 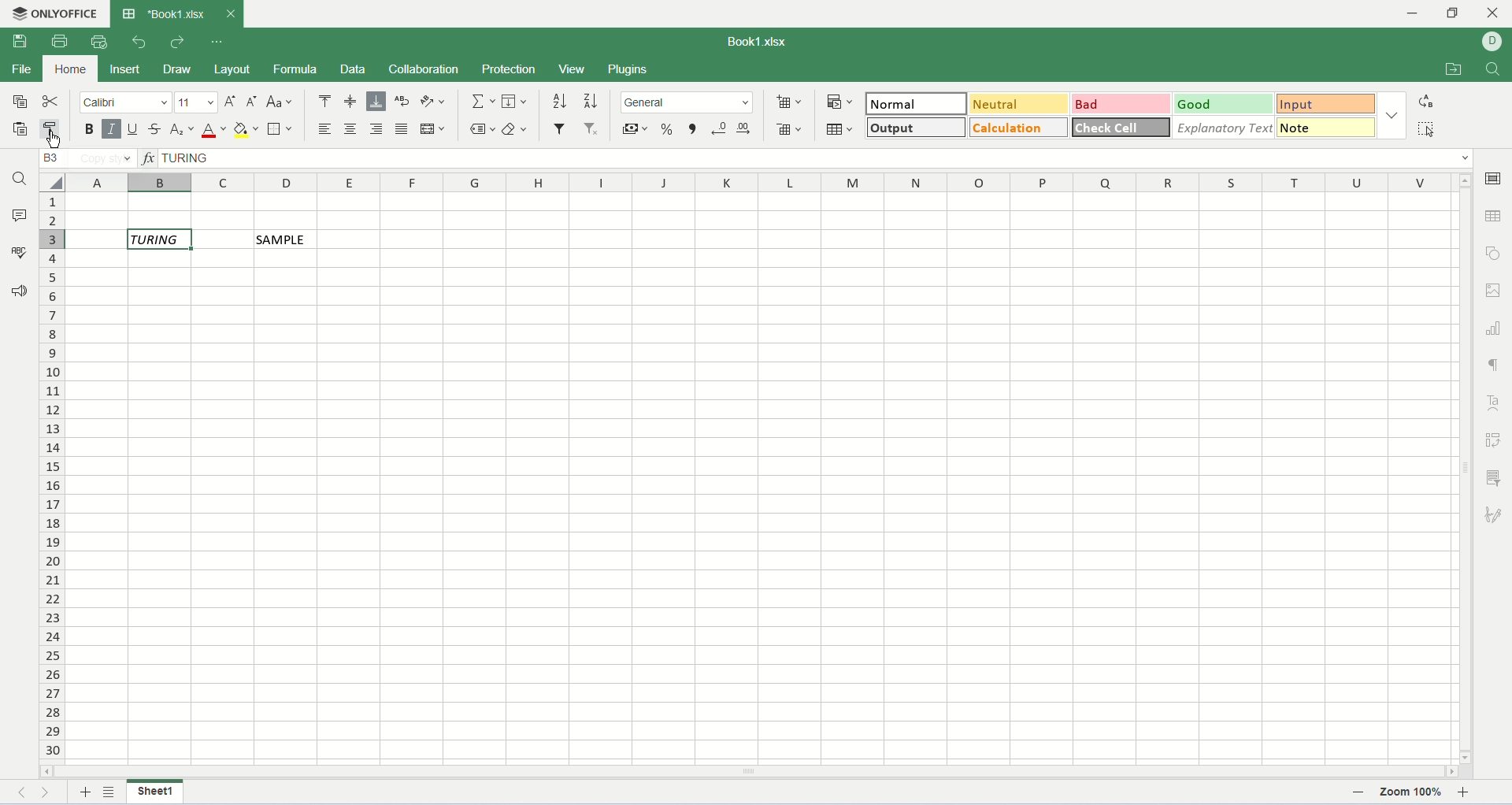 What do you see at coordinates (101, 42) in the screenshot?
I see `quick print` at bounding box center [101, 42].